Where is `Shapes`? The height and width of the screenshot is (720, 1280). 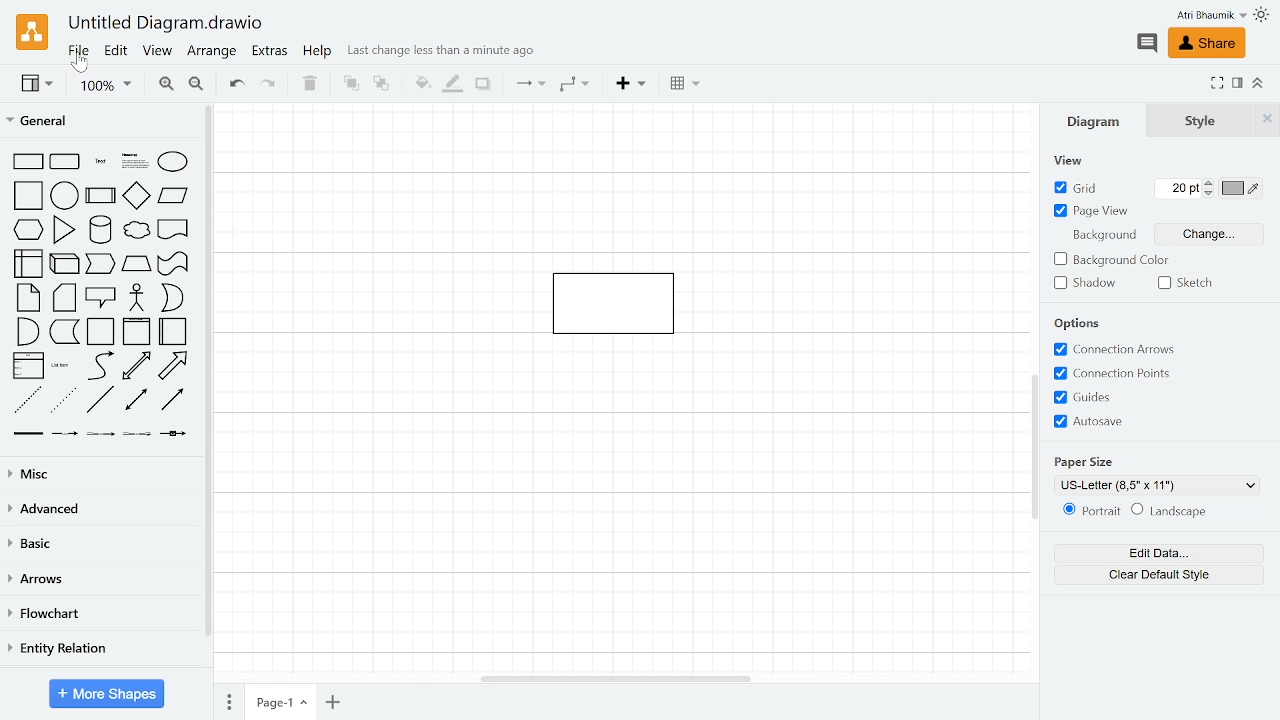
Shapes is located at coordinates (100, 294).